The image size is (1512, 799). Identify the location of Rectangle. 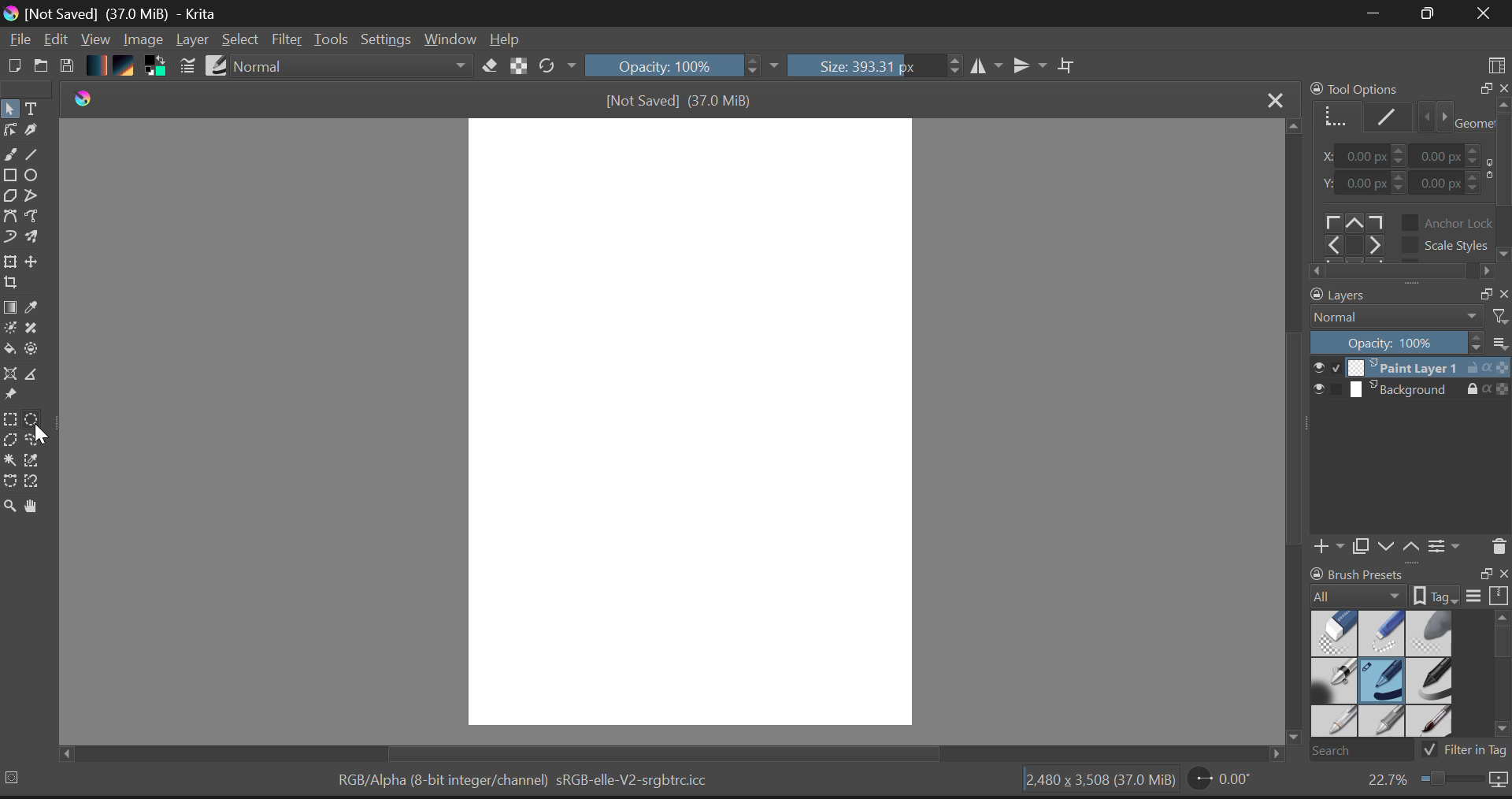
(13, 178).